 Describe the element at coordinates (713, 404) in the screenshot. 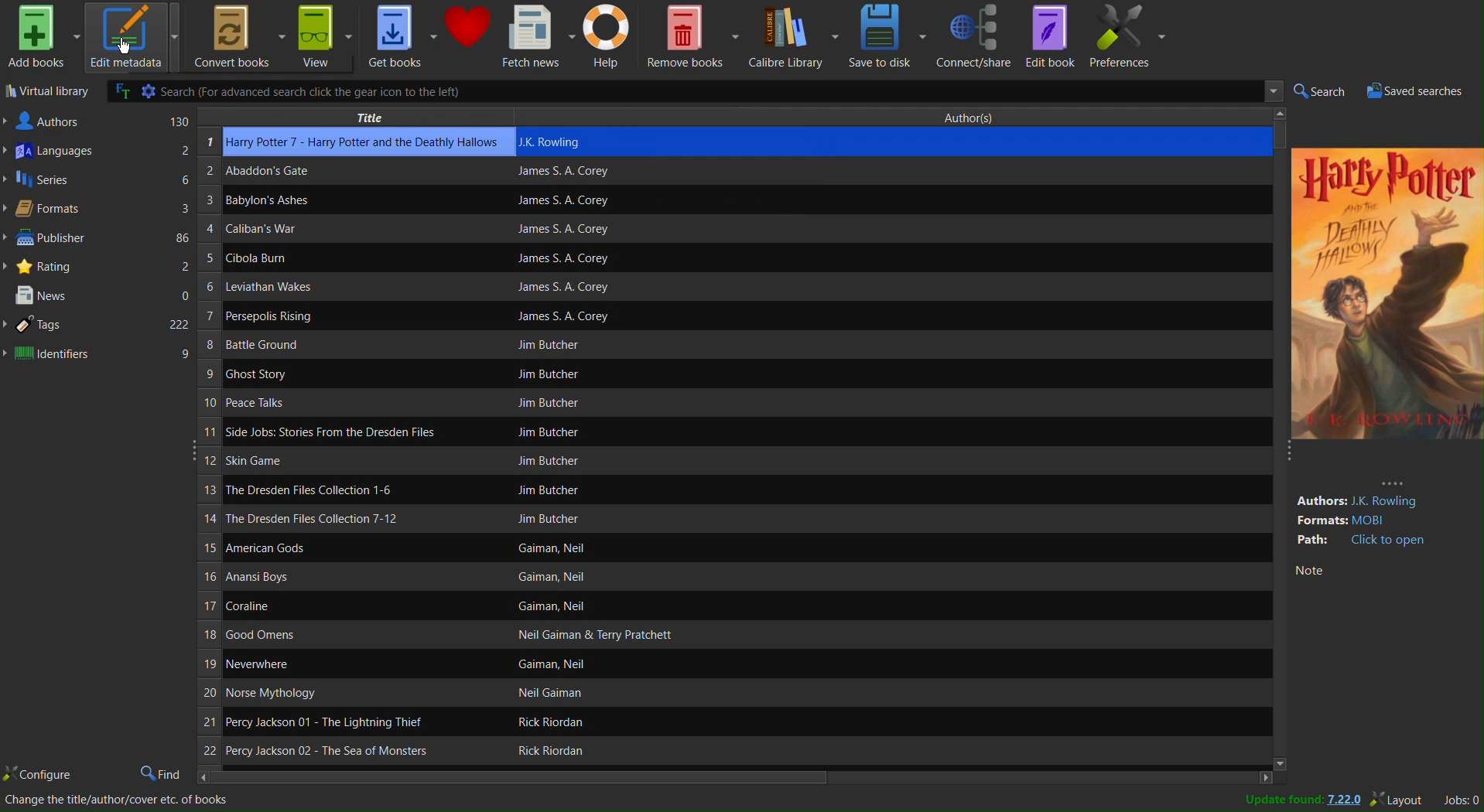

I see `Author’s name` at that location.